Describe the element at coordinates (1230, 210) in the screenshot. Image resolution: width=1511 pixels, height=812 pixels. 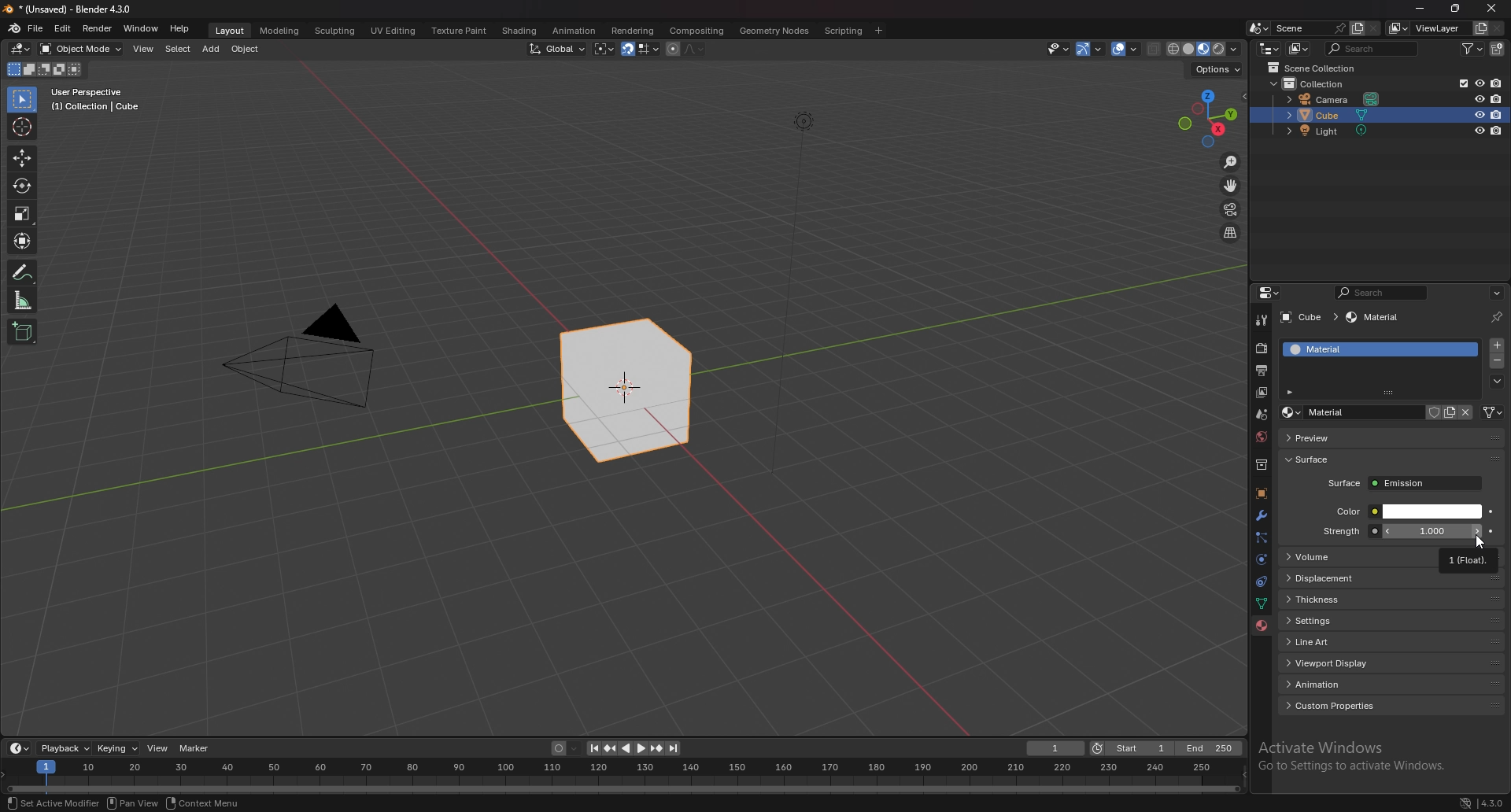
I see `camera view` at that location.